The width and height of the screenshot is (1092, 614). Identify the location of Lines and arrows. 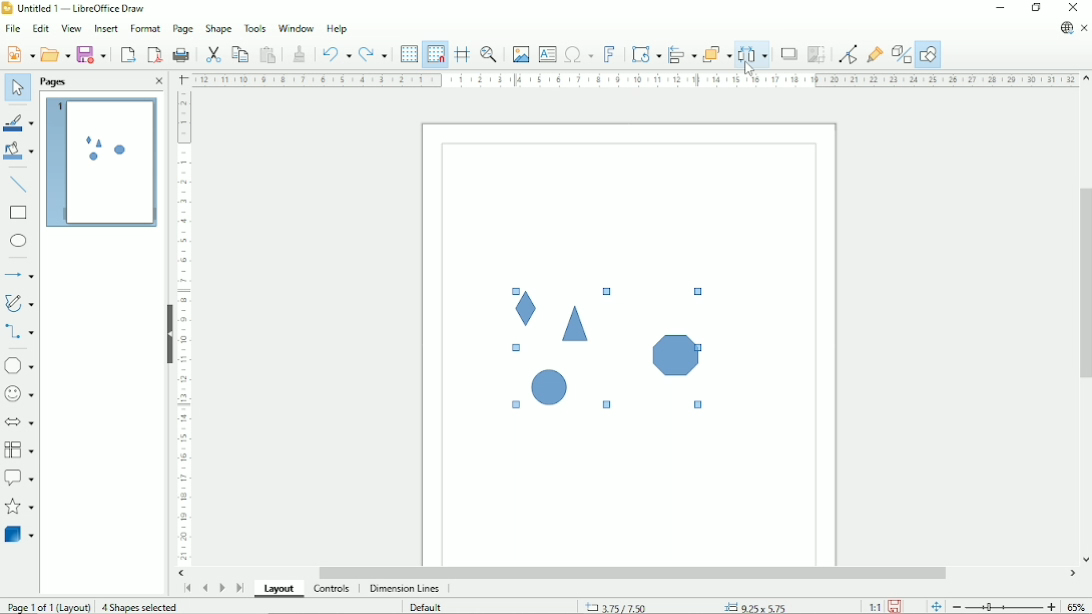
(21, 276).